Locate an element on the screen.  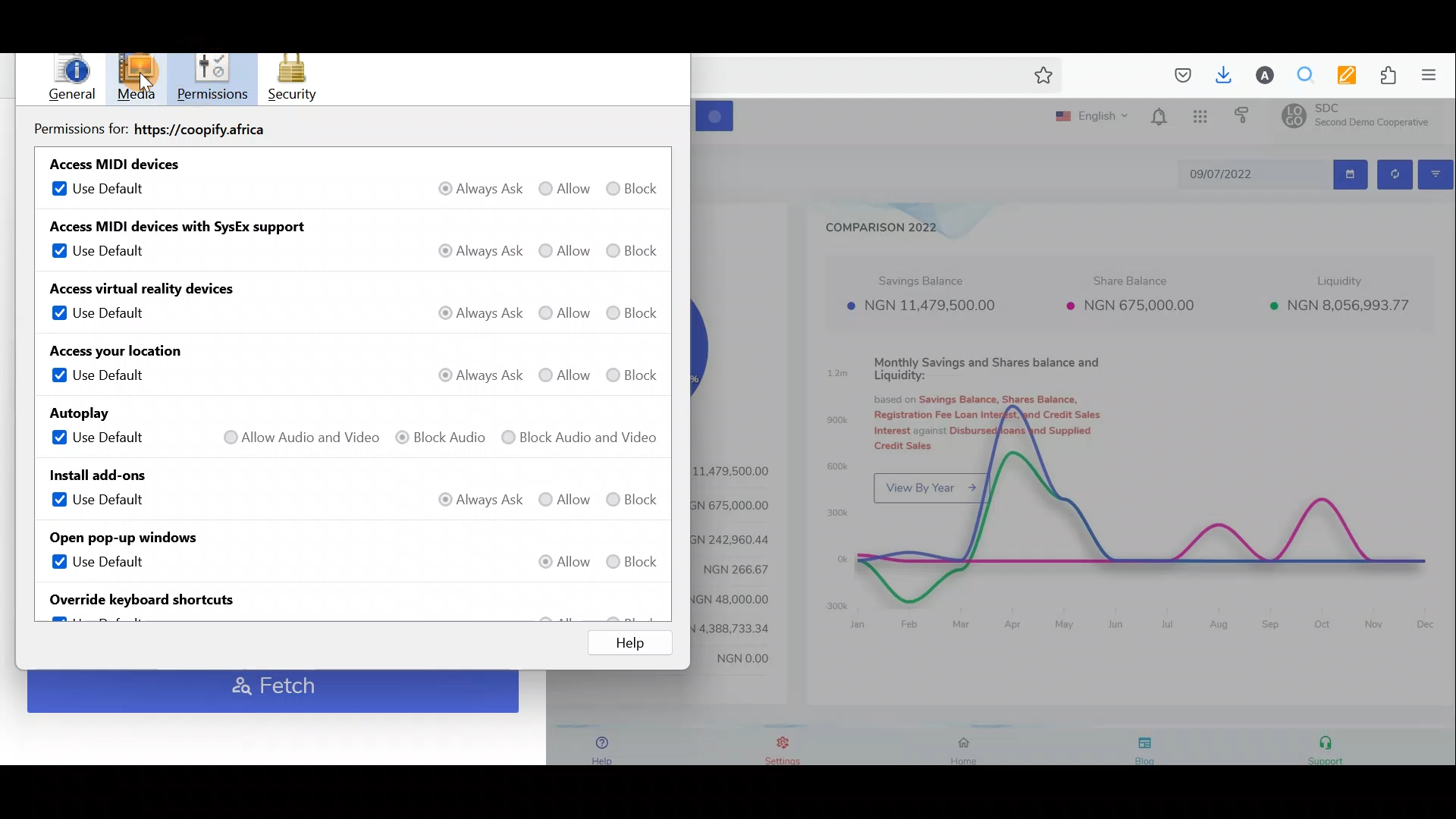
Always ask is located at coordinates (475, 252).